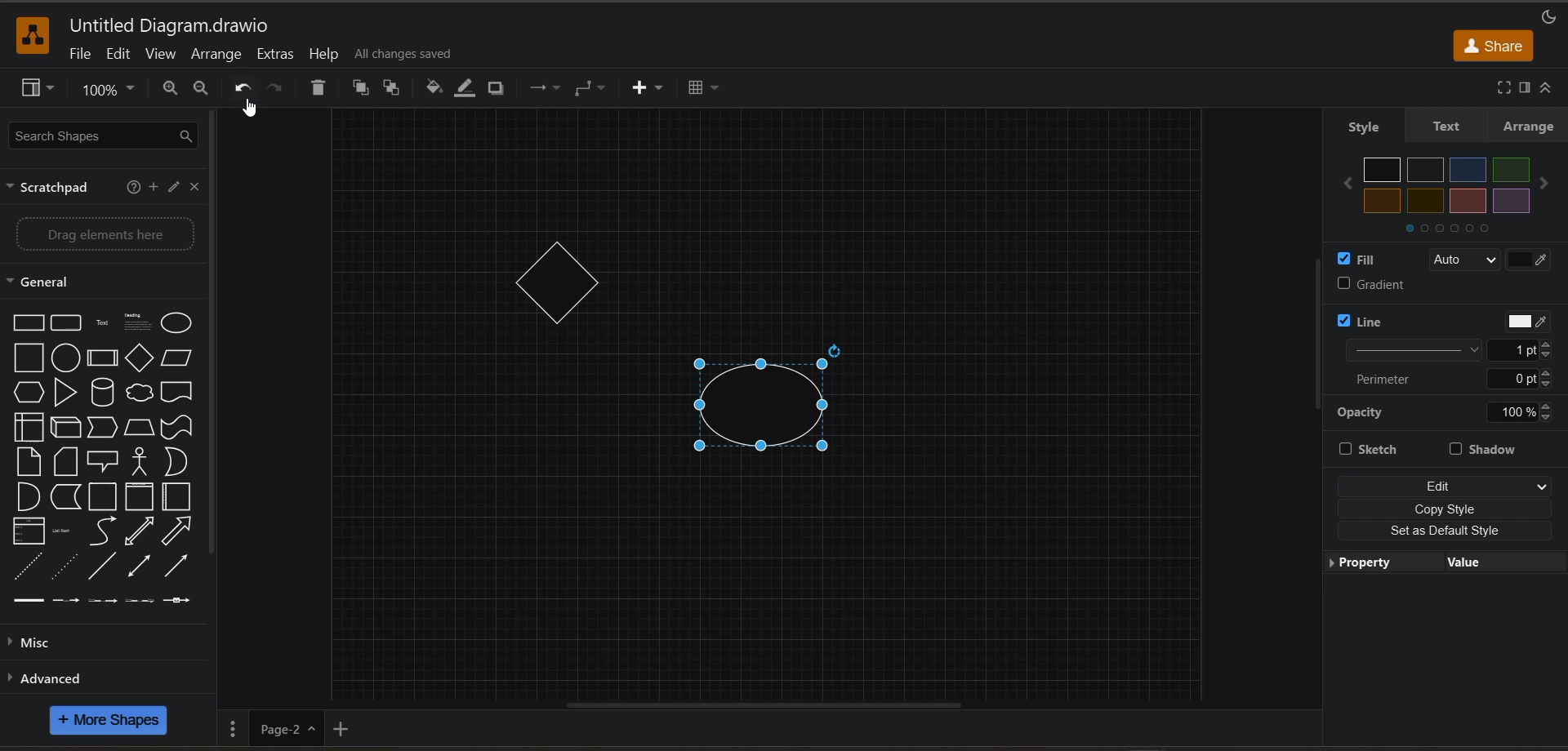 This screenshot has width=1568, height=751. What do you see at coordinates (548, 89) in the screenshot?
I see `connection` at bounding box center [548, 89].